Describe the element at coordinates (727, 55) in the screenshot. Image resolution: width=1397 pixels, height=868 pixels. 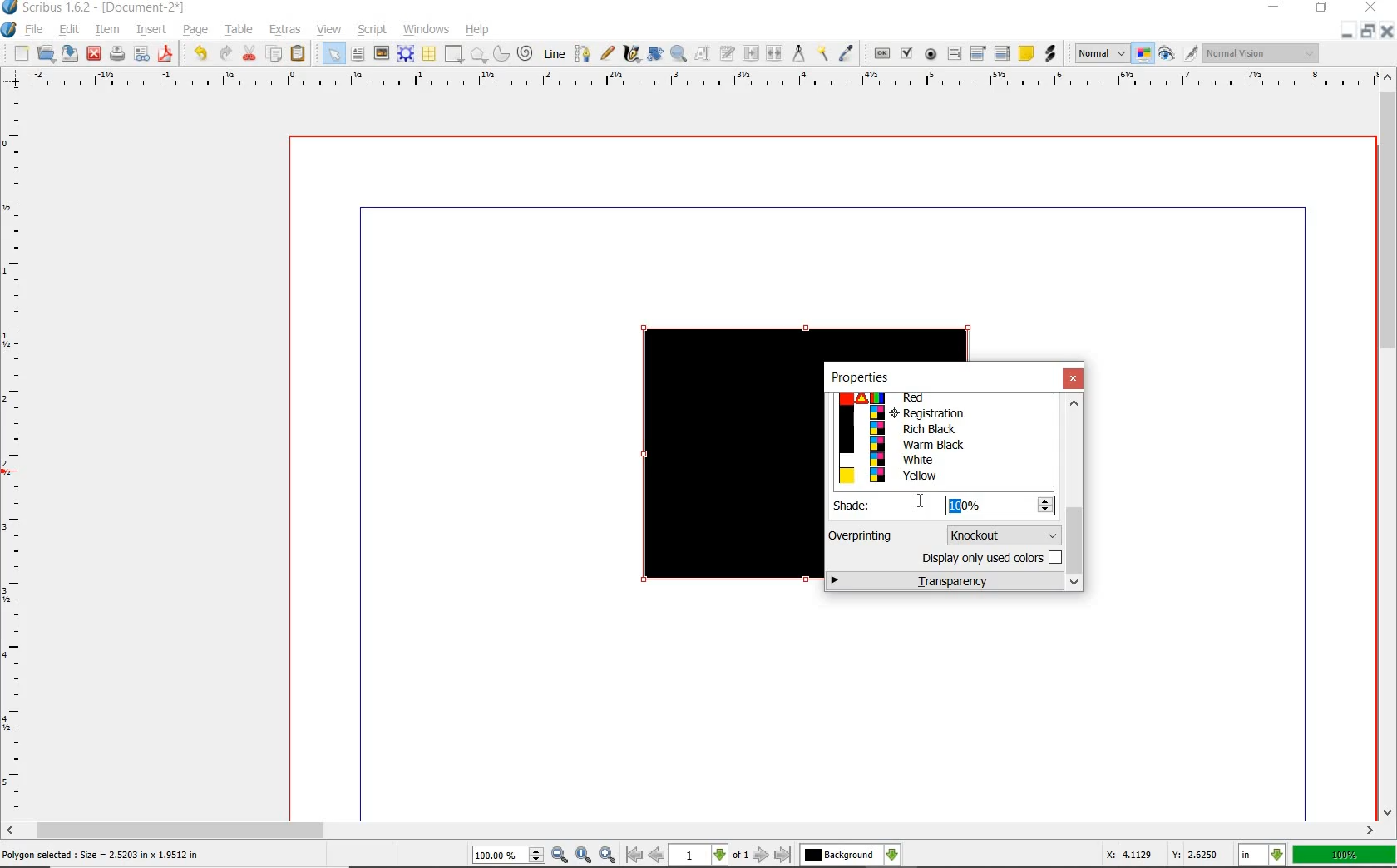
I see `edit text with story editor` at that location.